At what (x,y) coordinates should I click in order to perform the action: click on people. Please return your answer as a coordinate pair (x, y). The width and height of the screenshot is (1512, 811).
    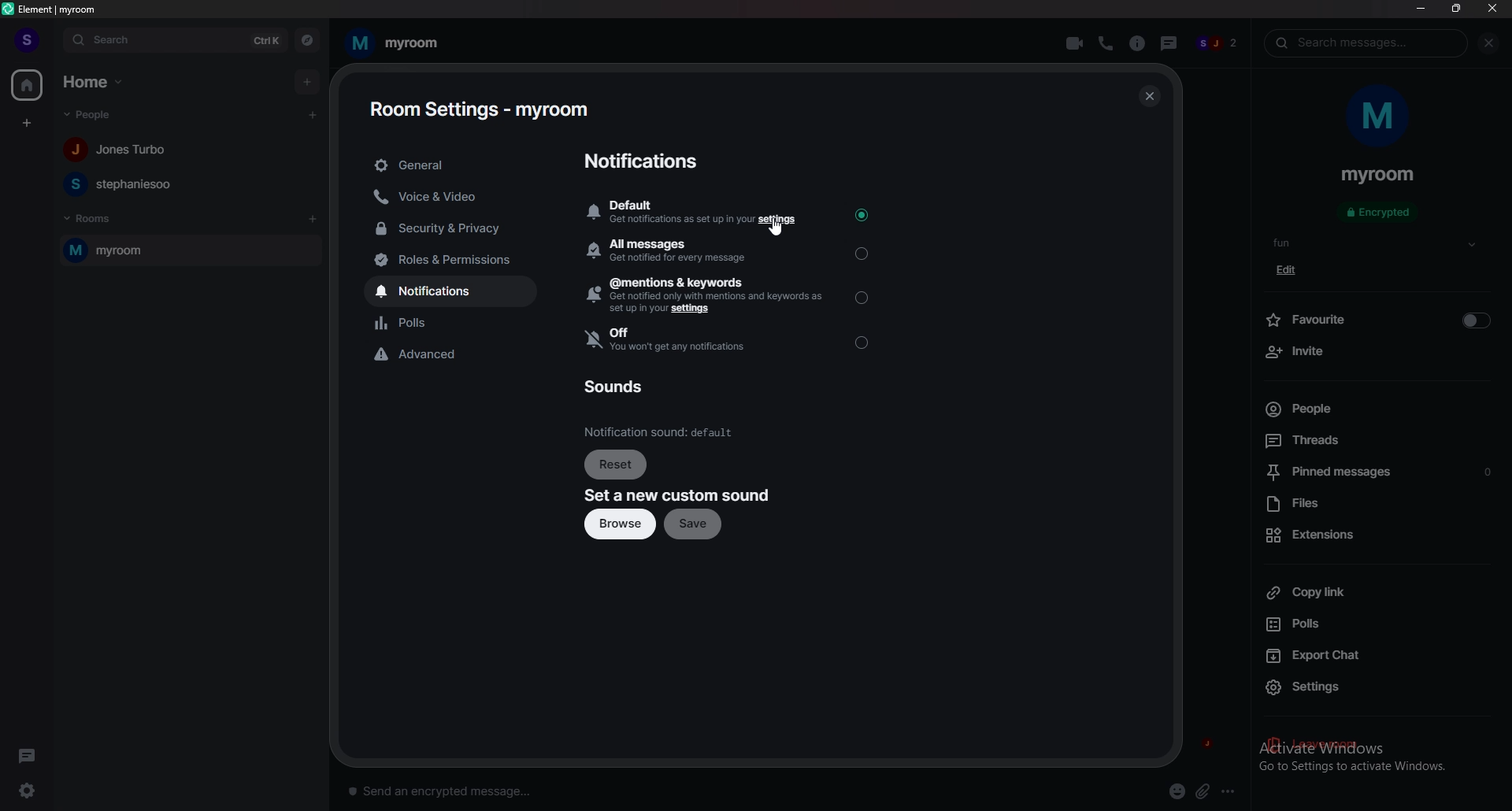
    Looking at the image, I should click on (1217, 45).